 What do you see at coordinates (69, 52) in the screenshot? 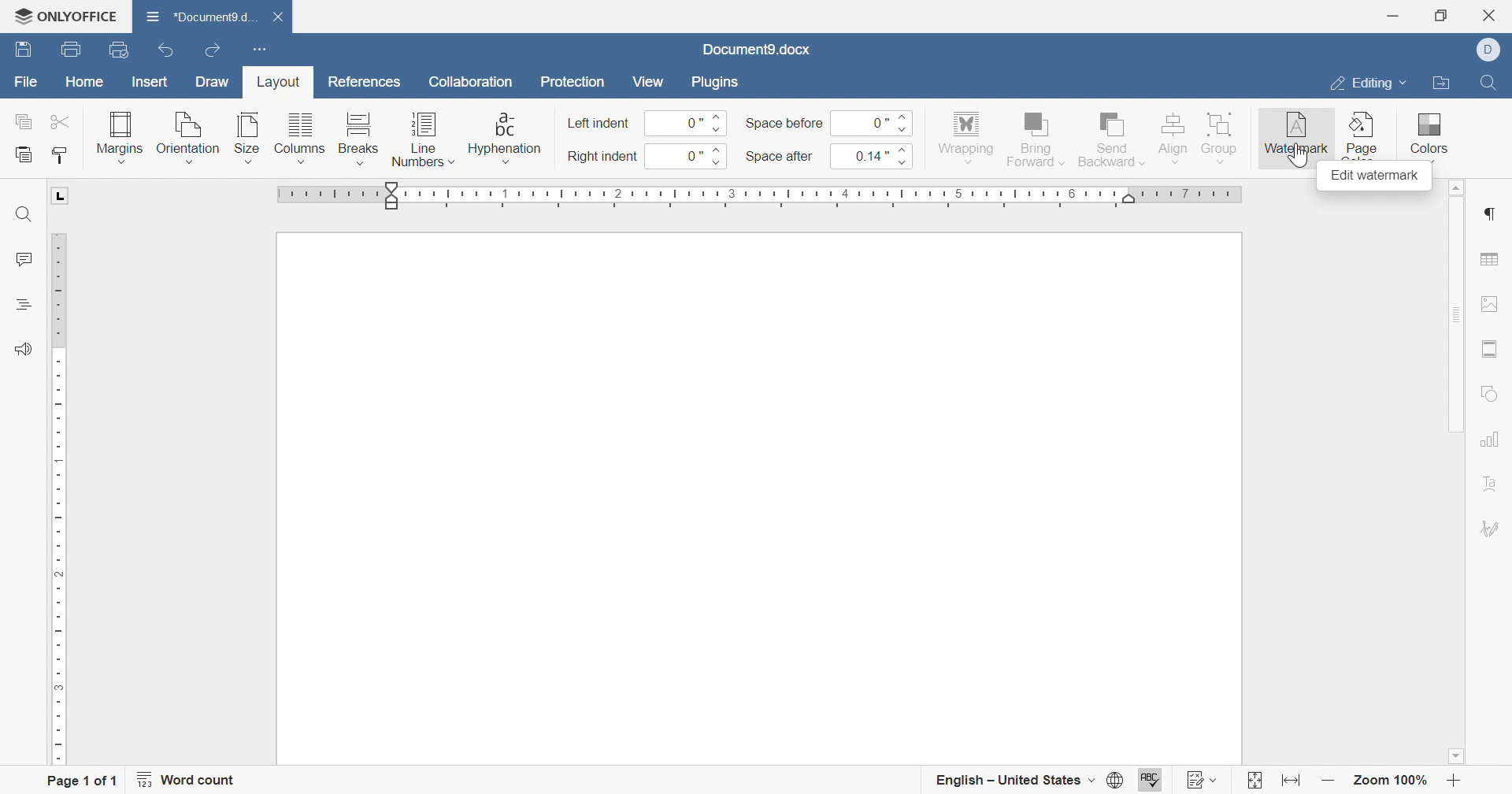
I see `print` at bounding box center [69, 52].